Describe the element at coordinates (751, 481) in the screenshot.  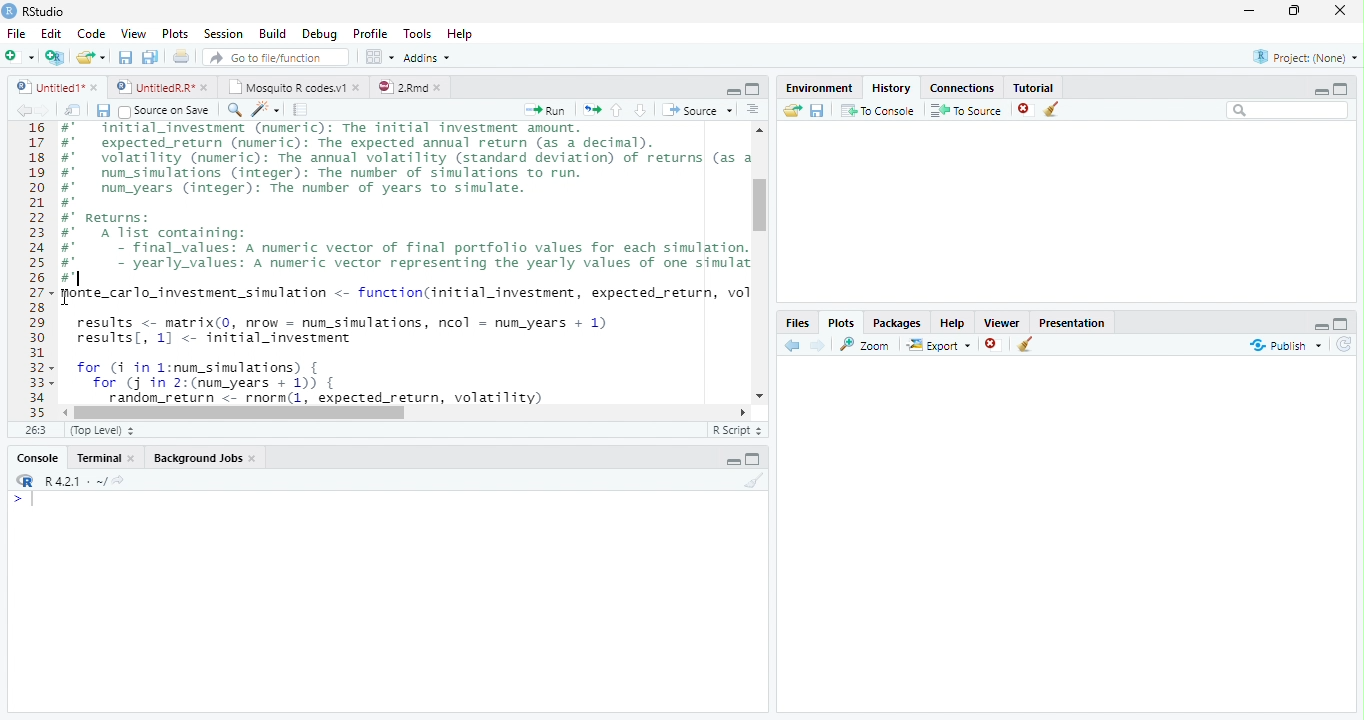
I see `Clear` at that location.